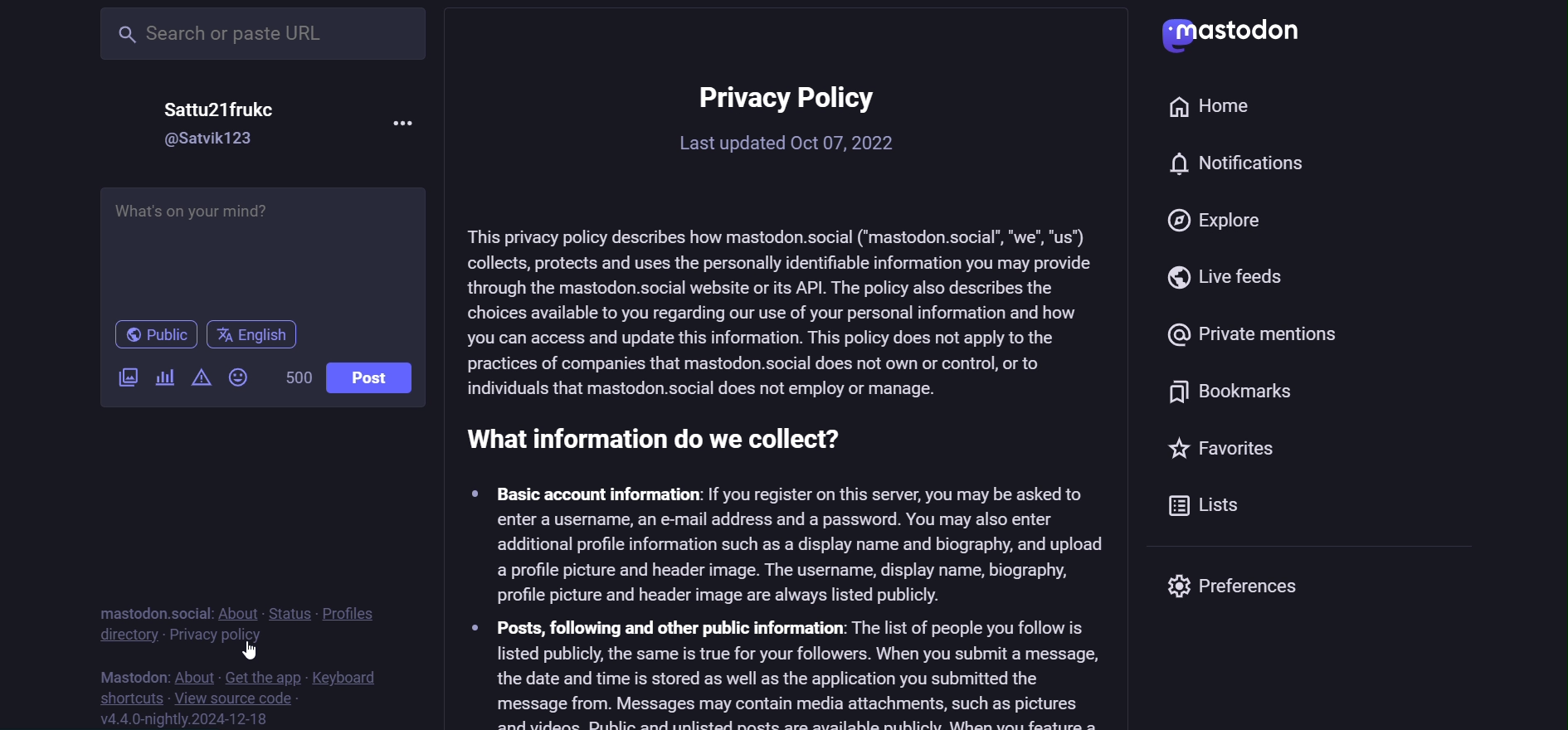 The image size is (1568, 730). I want to click on preferences, so click(1244, 582).